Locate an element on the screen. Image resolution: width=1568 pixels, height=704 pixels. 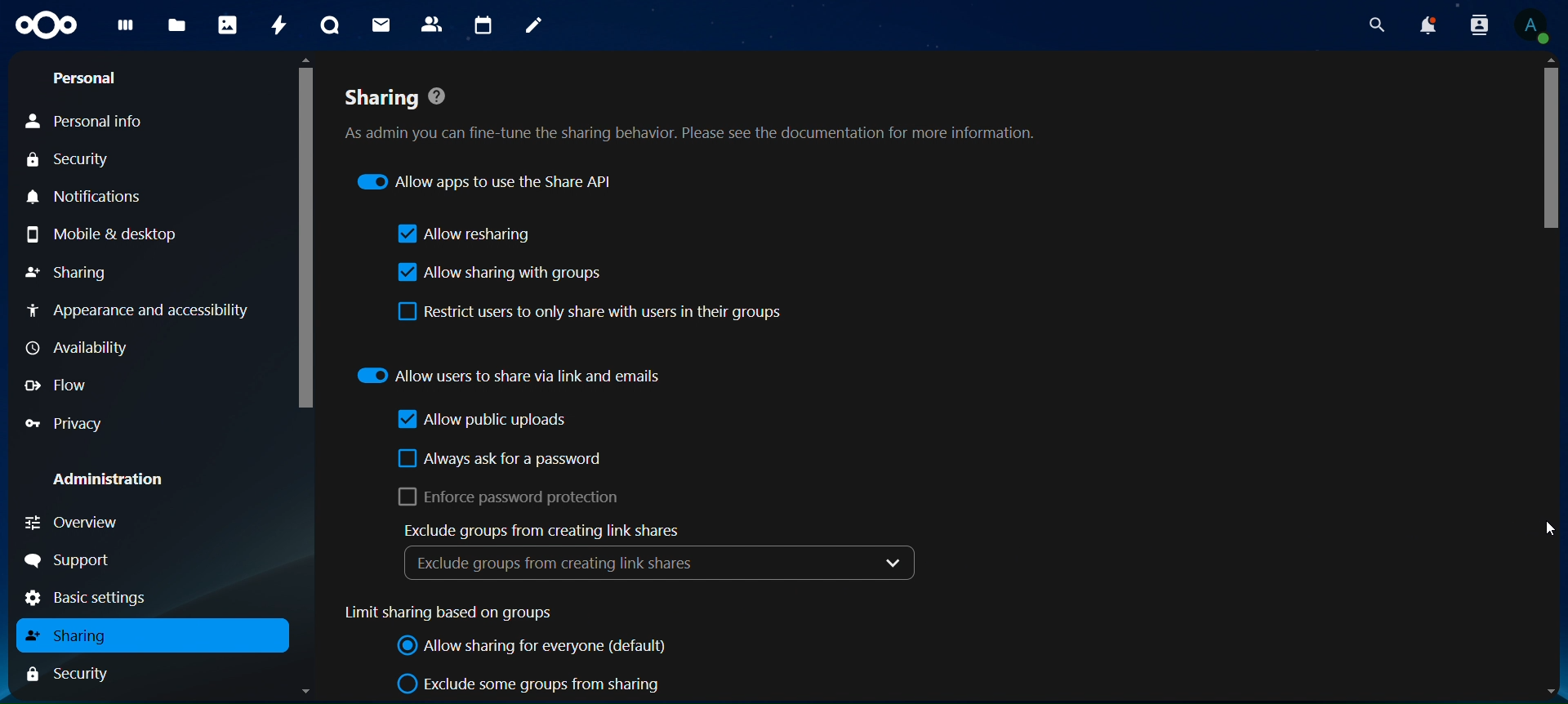
Cursor is located at coordinates (1550, 528).